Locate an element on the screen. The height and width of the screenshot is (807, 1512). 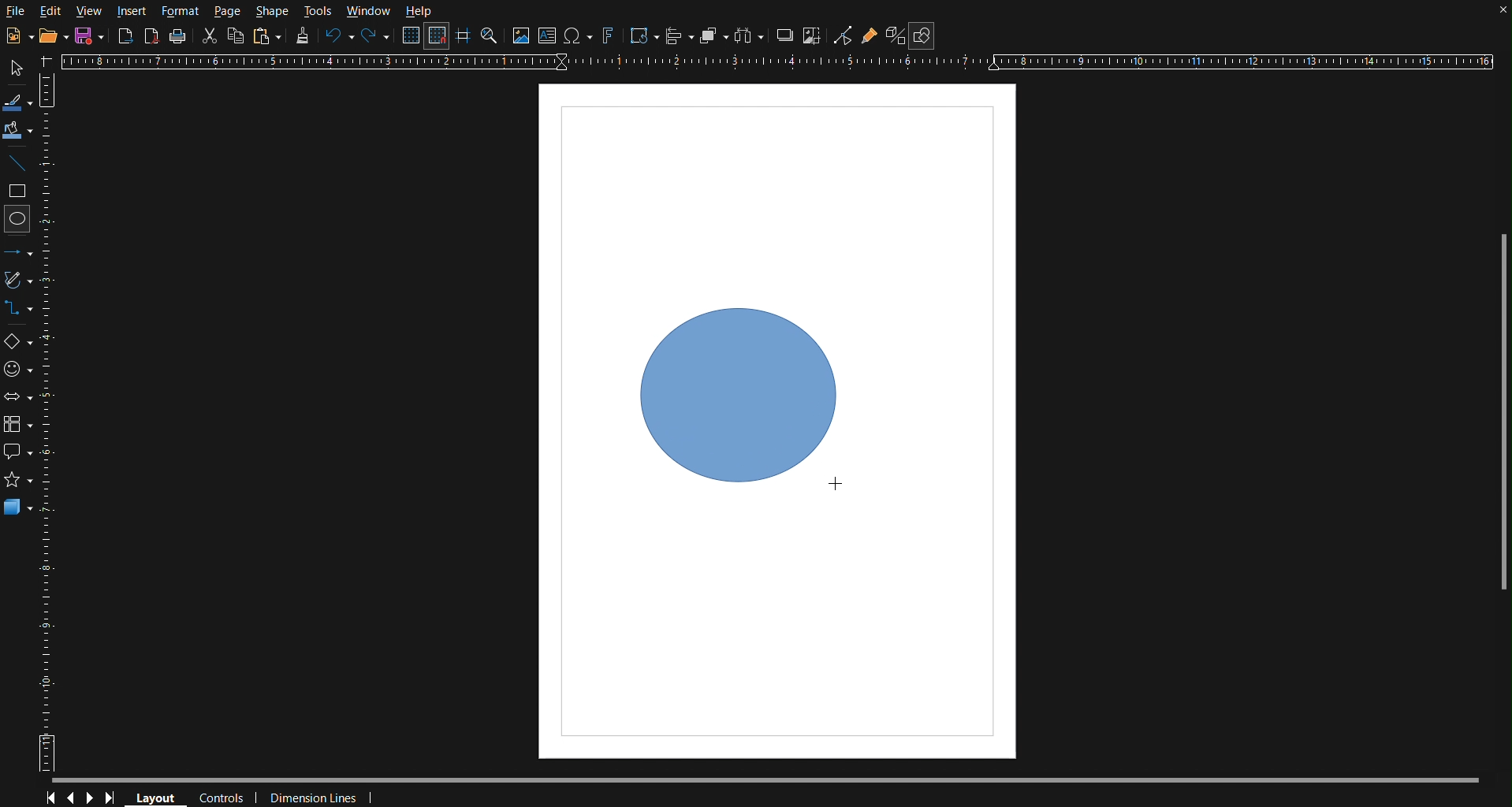
Open is located at coordinates (49, 35).